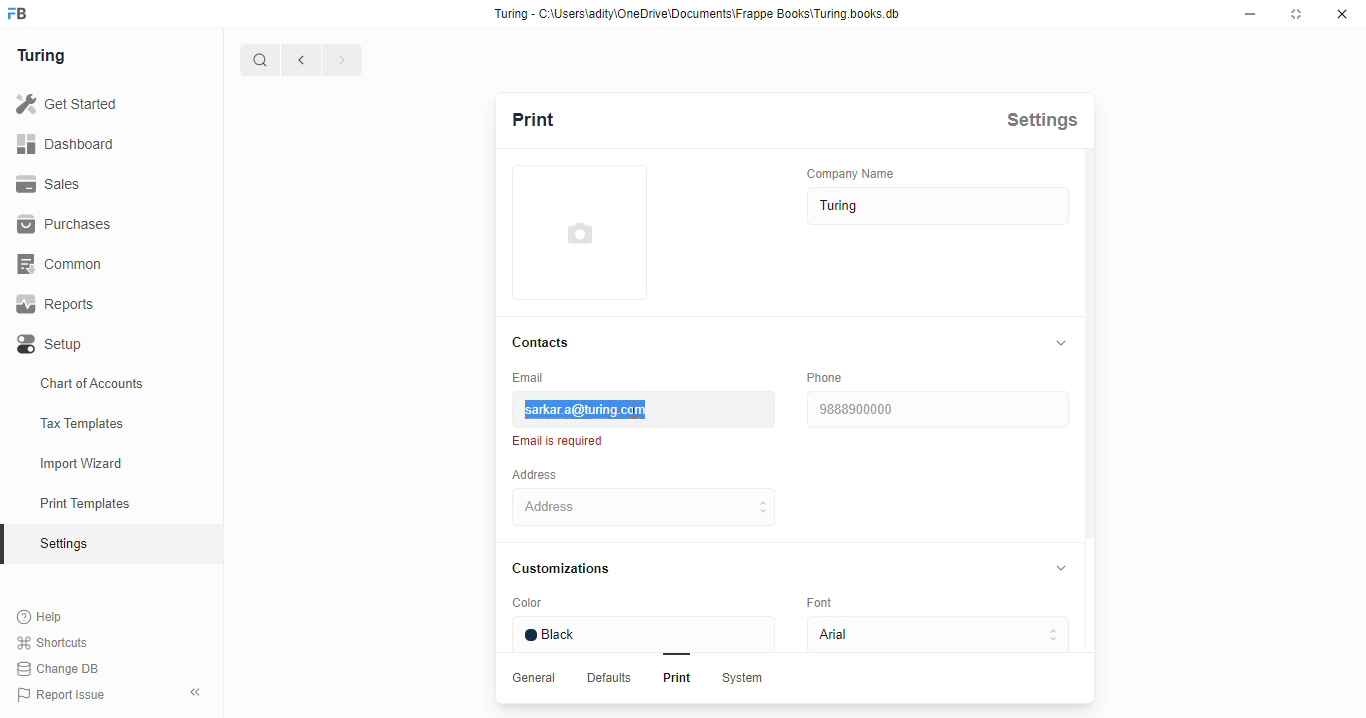 Image resolution: width=1366 pixels, height=718 pixels. I want to click on maximise, so click(1299, 15).